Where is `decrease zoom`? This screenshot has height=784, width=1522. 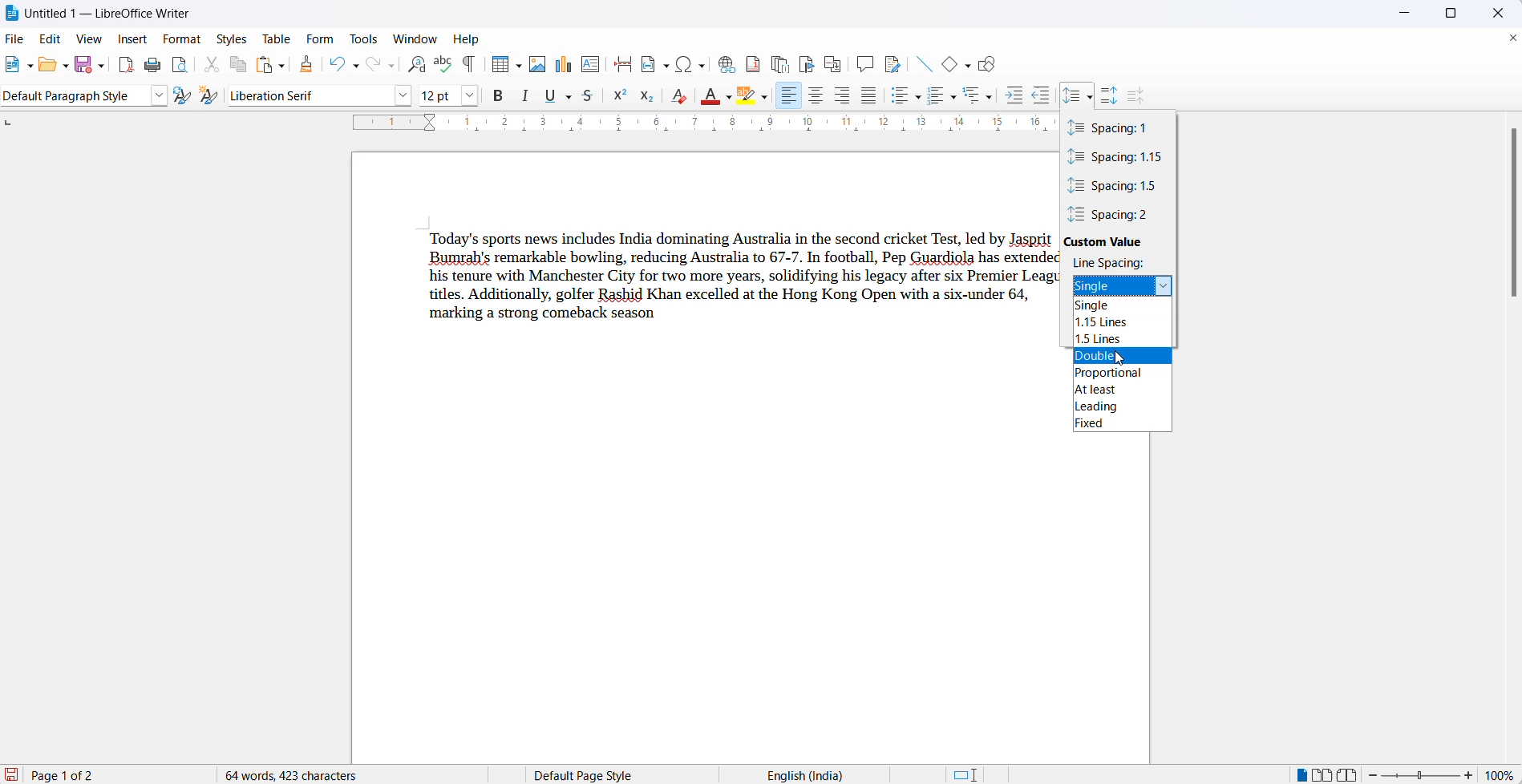 decrease zoom is located at coordinates (1375, 774).